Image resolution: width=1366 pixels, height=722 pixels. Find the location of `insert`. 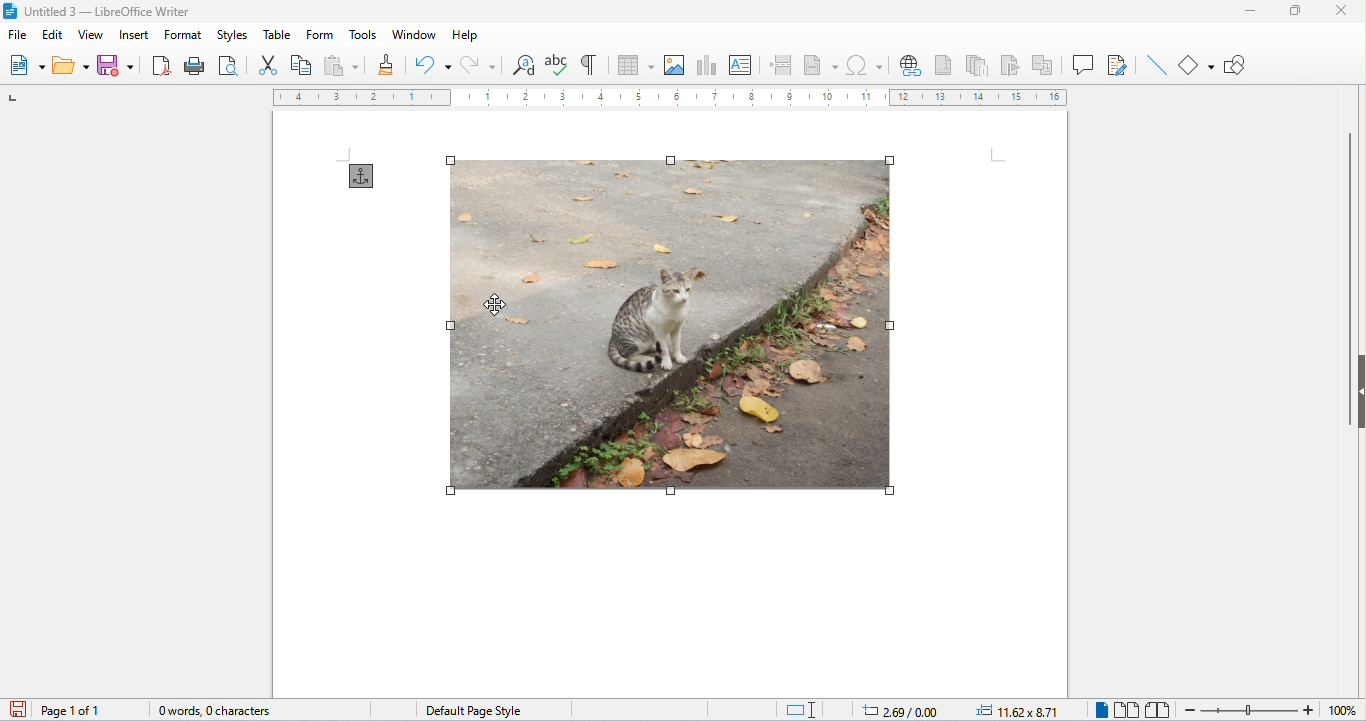

insert is located at coordinates (133, 34).